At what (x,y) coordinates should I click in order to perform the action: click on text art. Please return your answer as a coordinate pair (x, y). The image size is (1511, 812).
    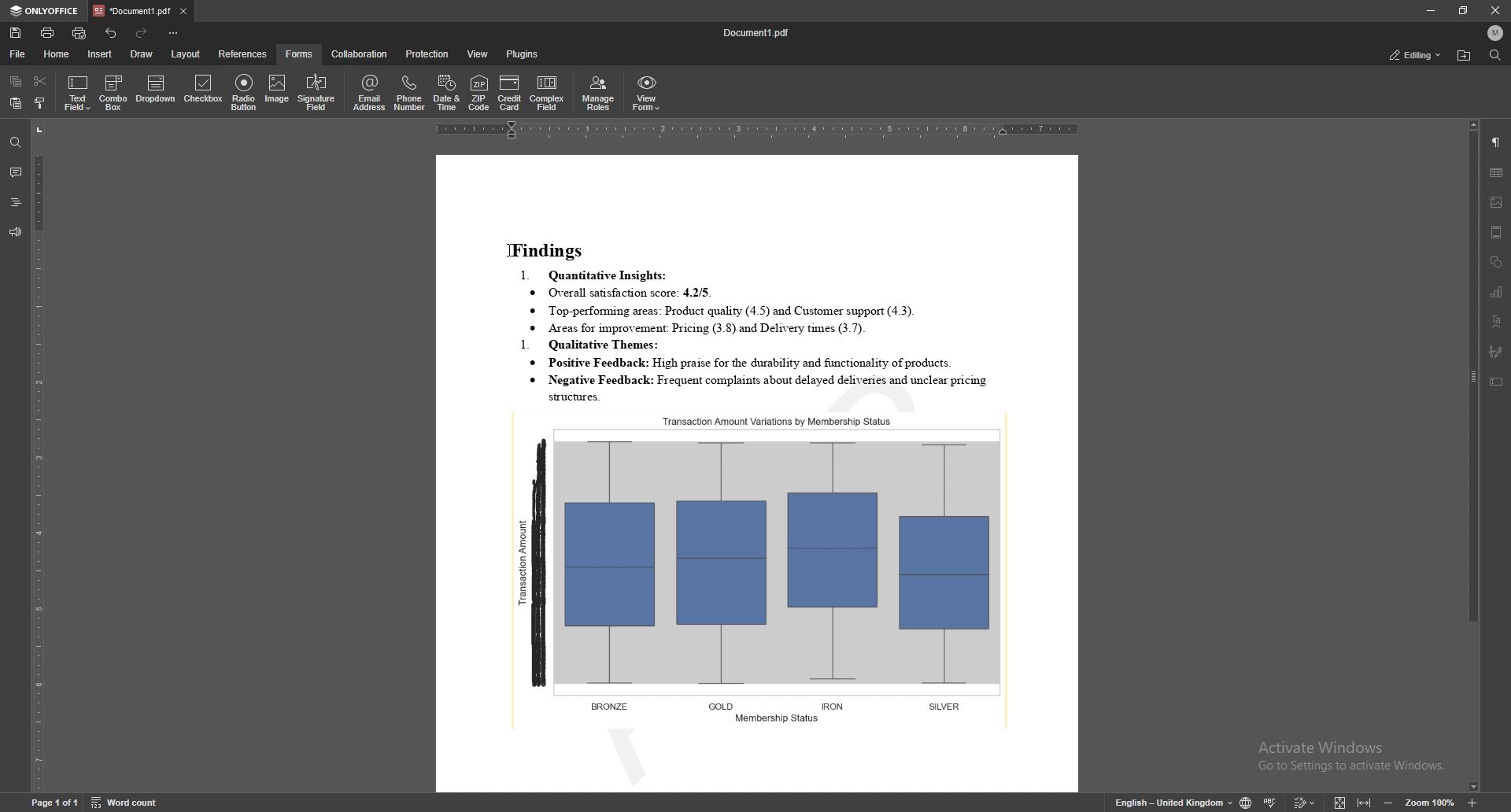
    Looking at the image, I should click on (1496, 322).